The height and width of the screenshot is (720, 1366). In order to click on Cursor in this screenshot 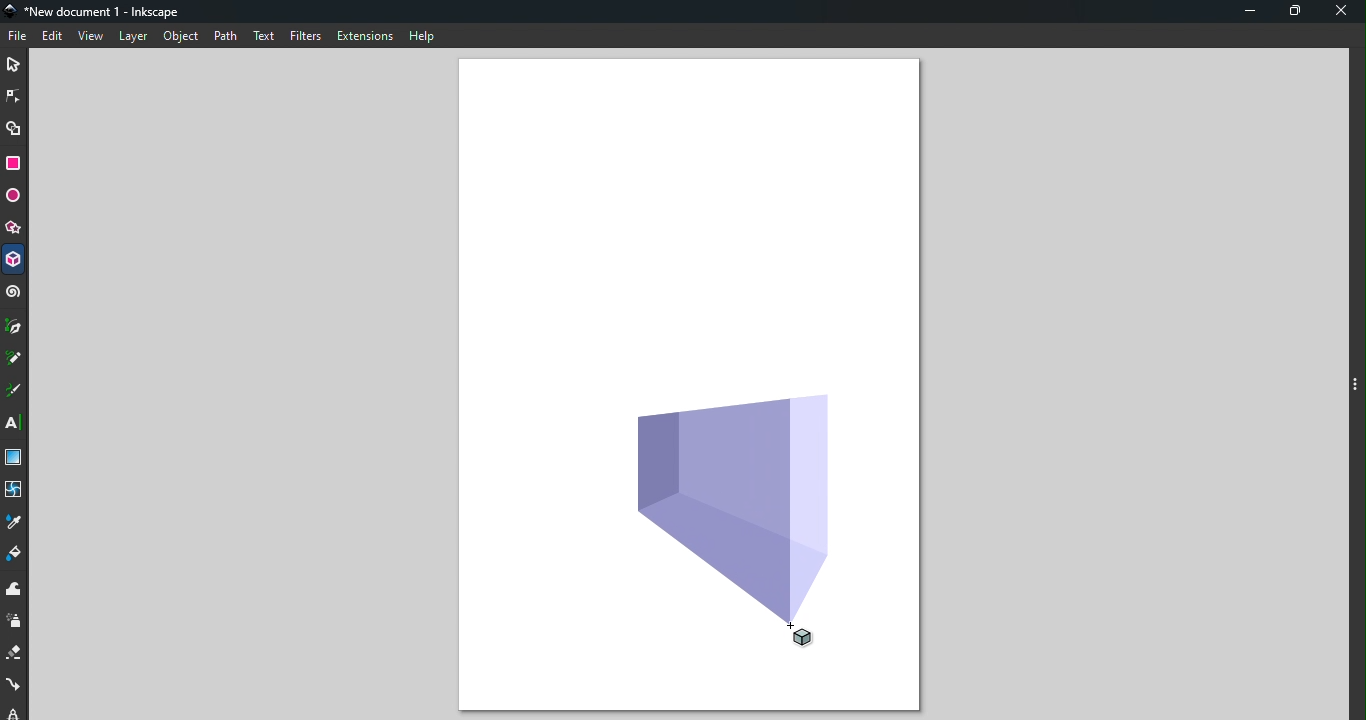, I will do `click(816, 636)`.